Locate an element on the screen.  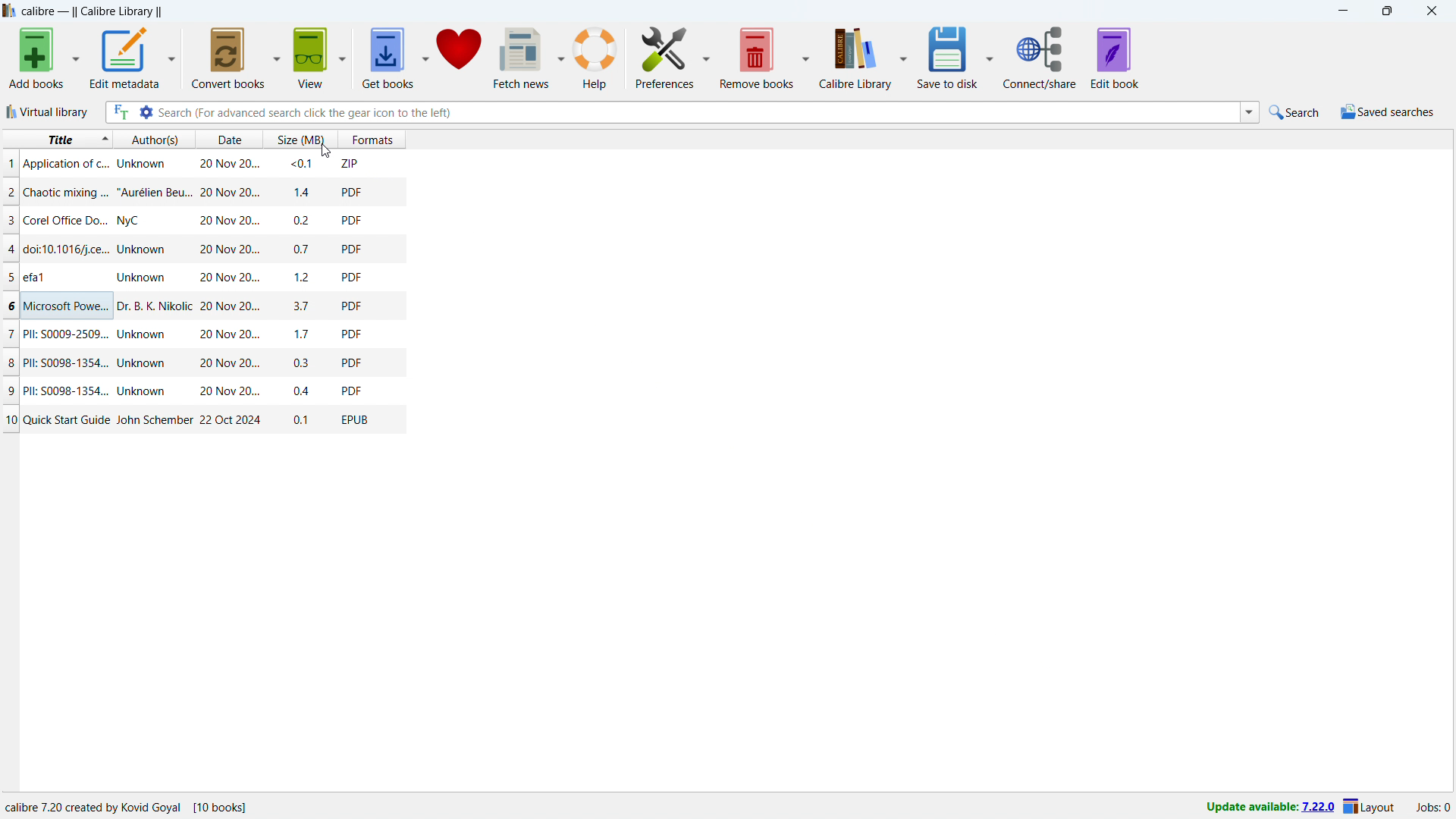
date is located at coordinates (227, 139).